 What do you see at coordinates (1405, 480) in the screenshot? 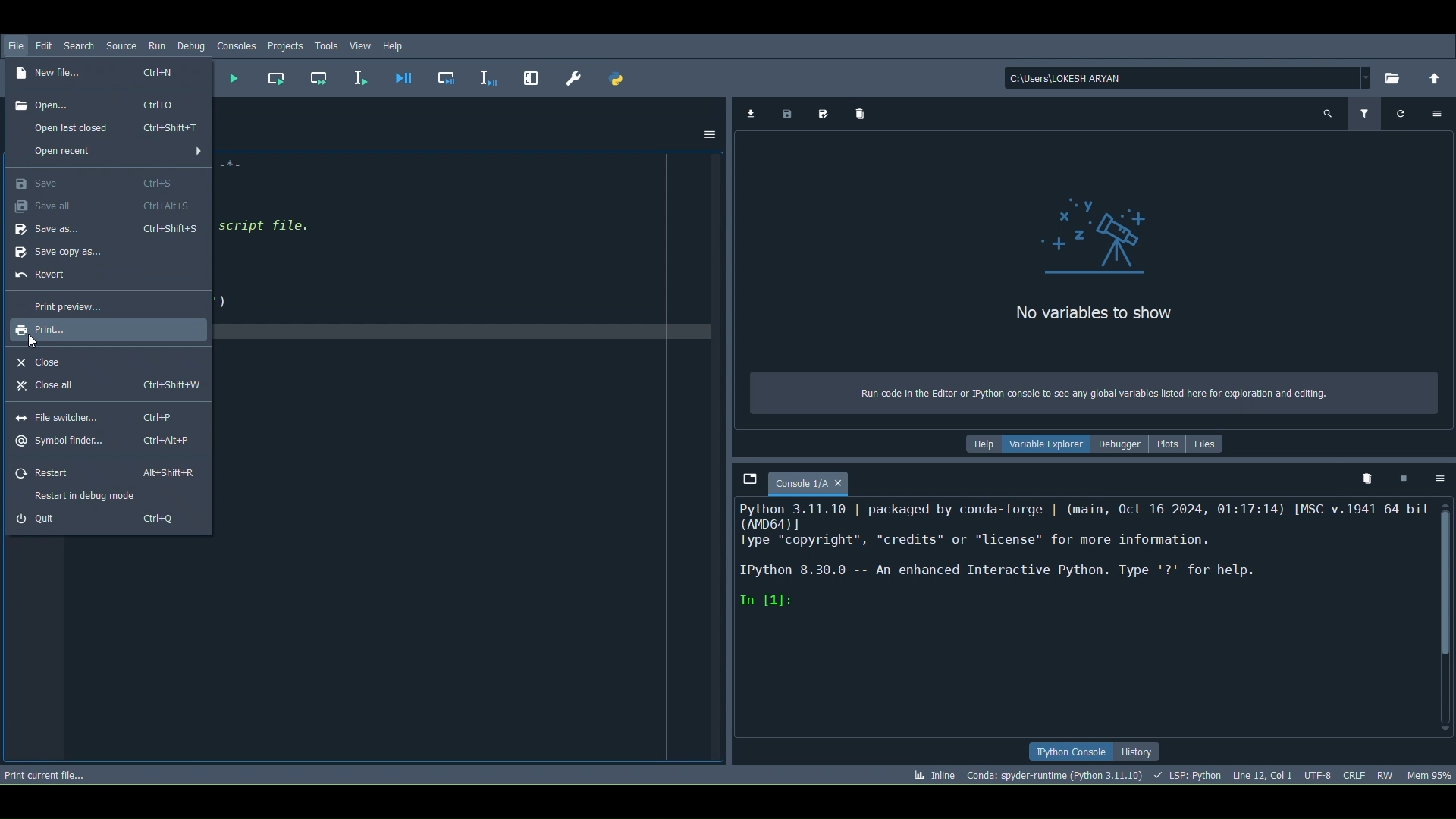
I see `Interrupt kernel` at bounding box center [1405, 480].